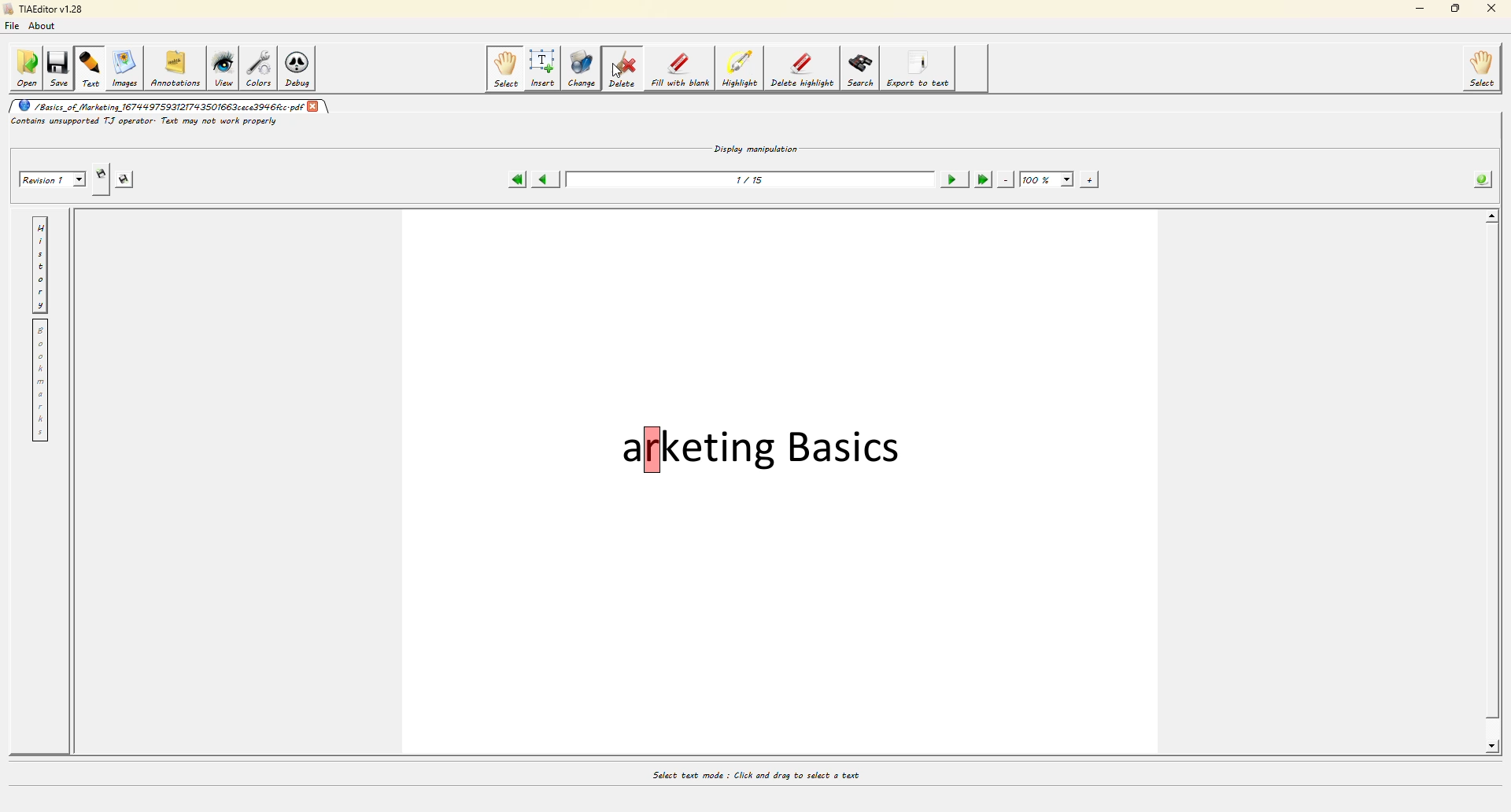 This screenshot has width=1511, height=812. I want to click on annotations, so click(175, 68).